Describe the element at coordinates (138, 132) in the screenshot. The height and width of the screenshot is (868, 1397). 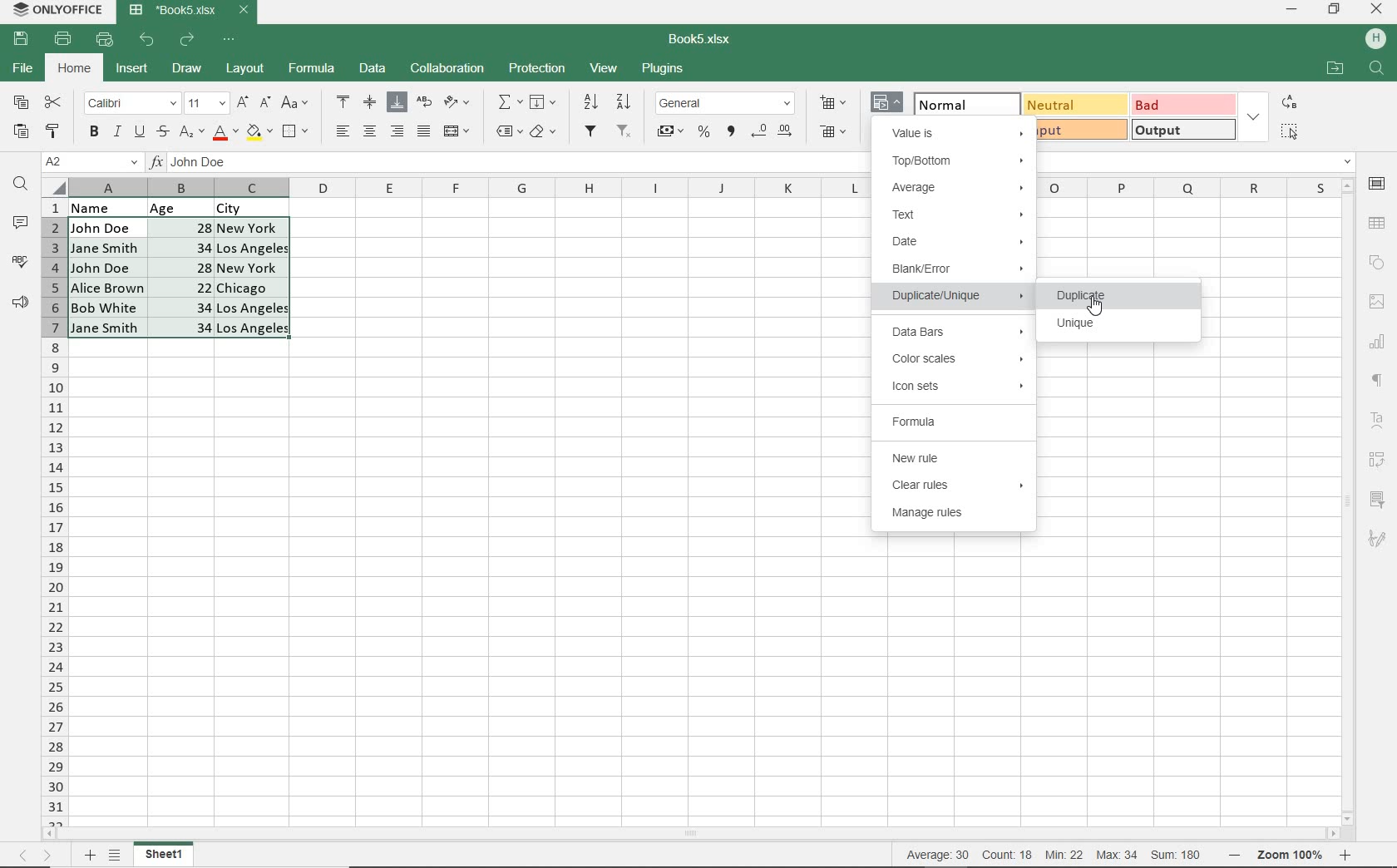
I see `UNDERLINE` at that location.